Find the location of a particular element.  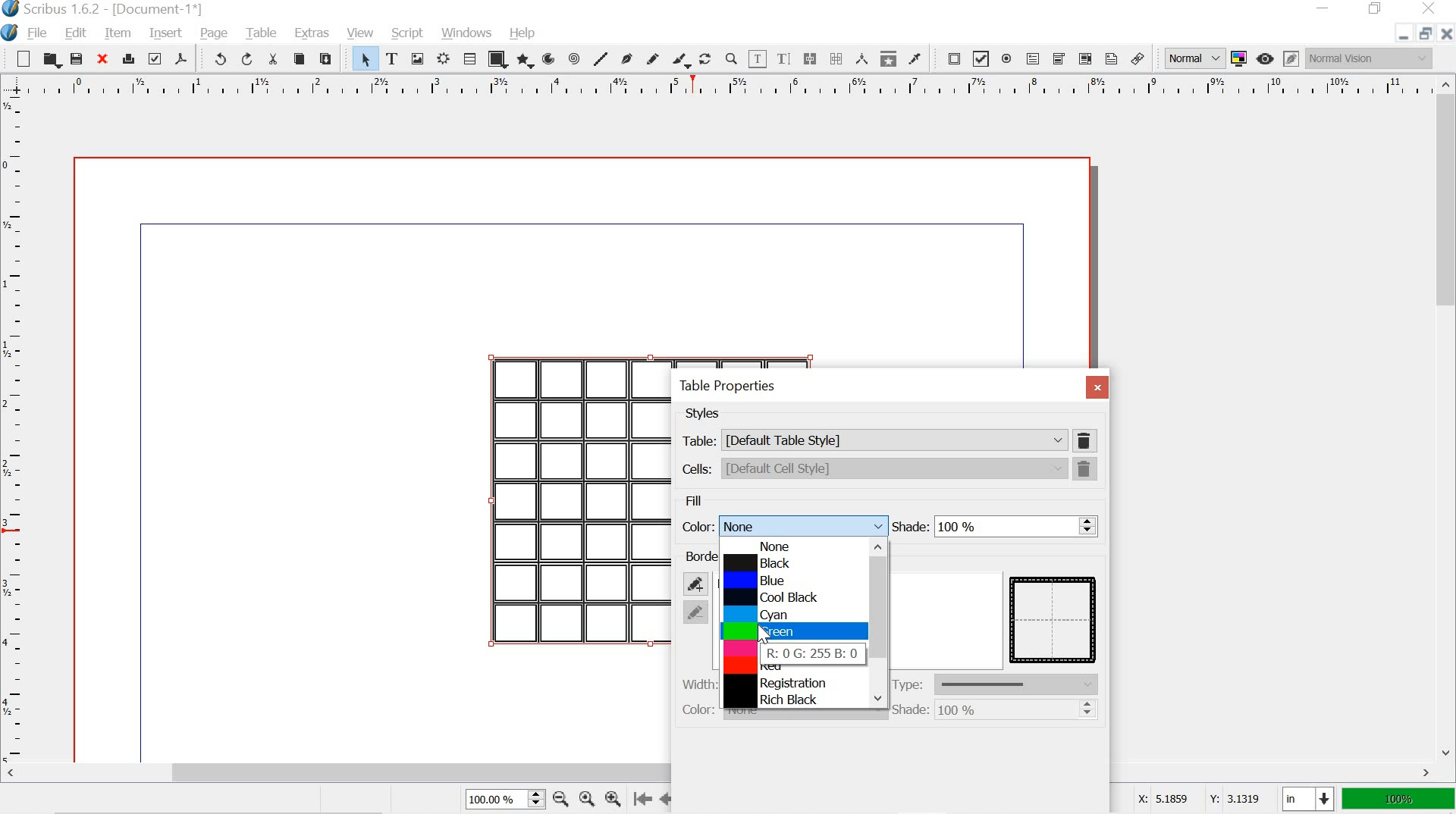

zoom to is located at coordinates (585, 798).